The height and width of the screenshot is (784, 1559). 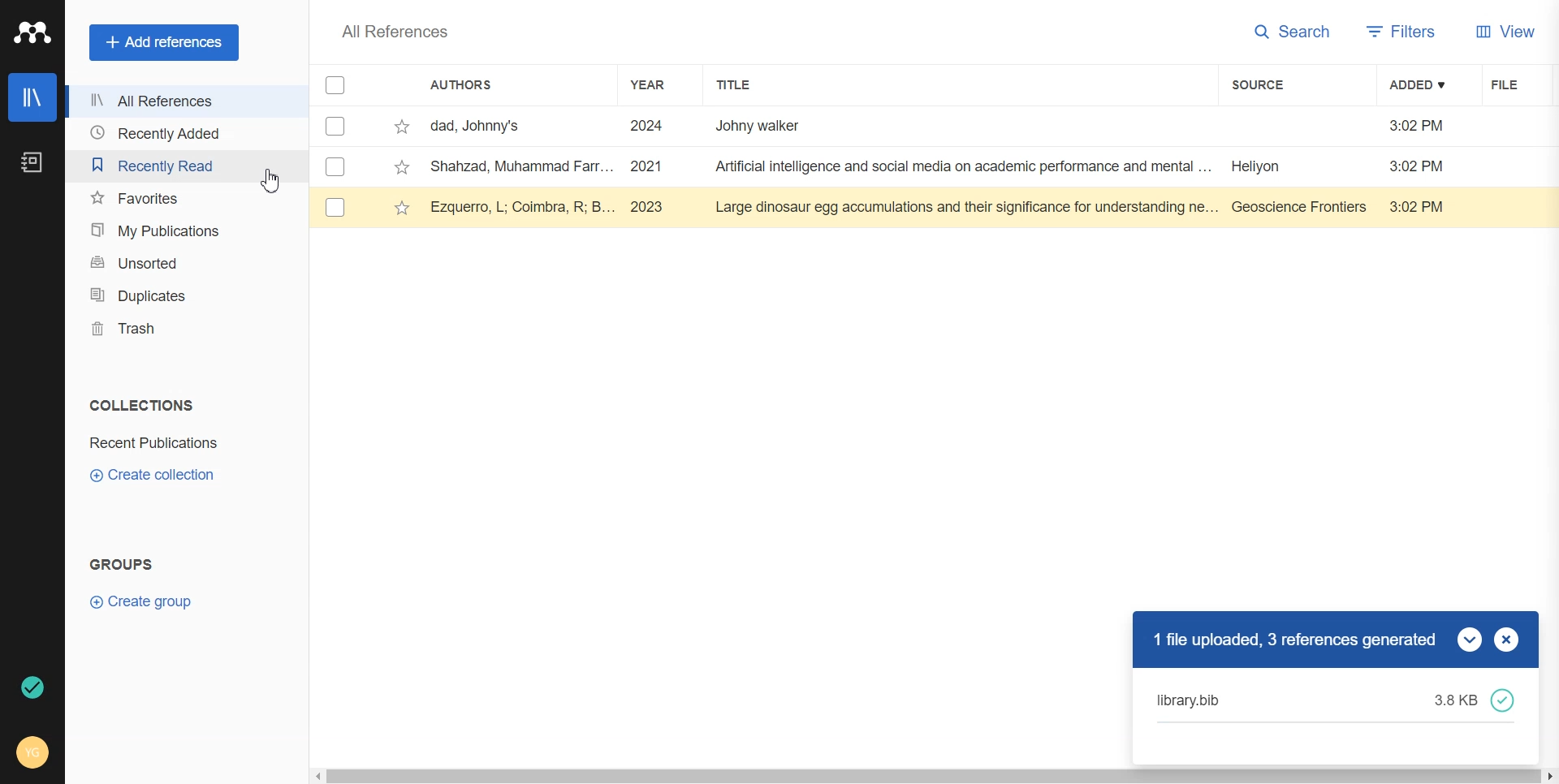 I want to click on Unsorted, so click(x=179, y=264).